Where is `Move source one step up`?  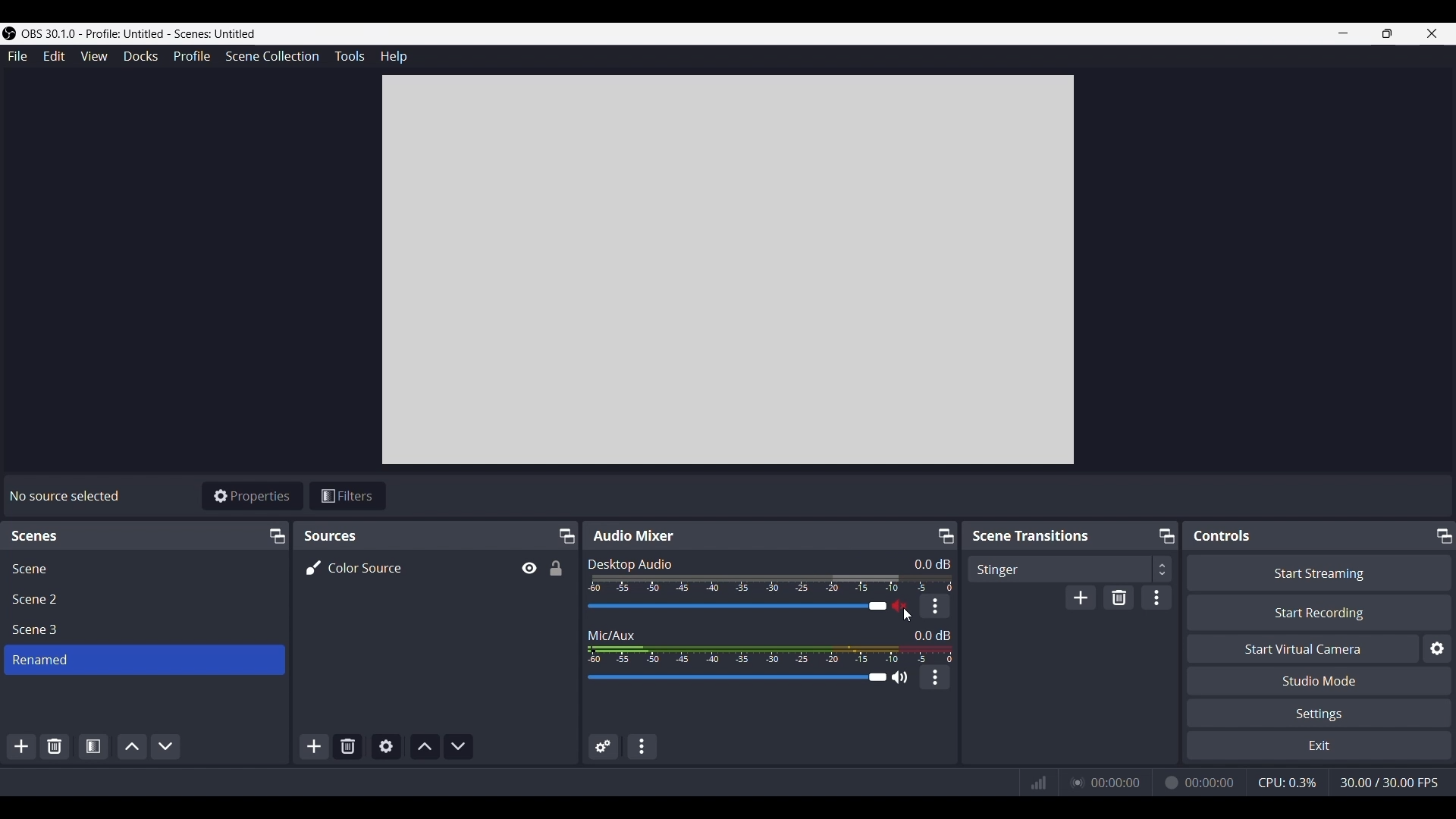
Move source one step up is located at coordinates (425, 747).